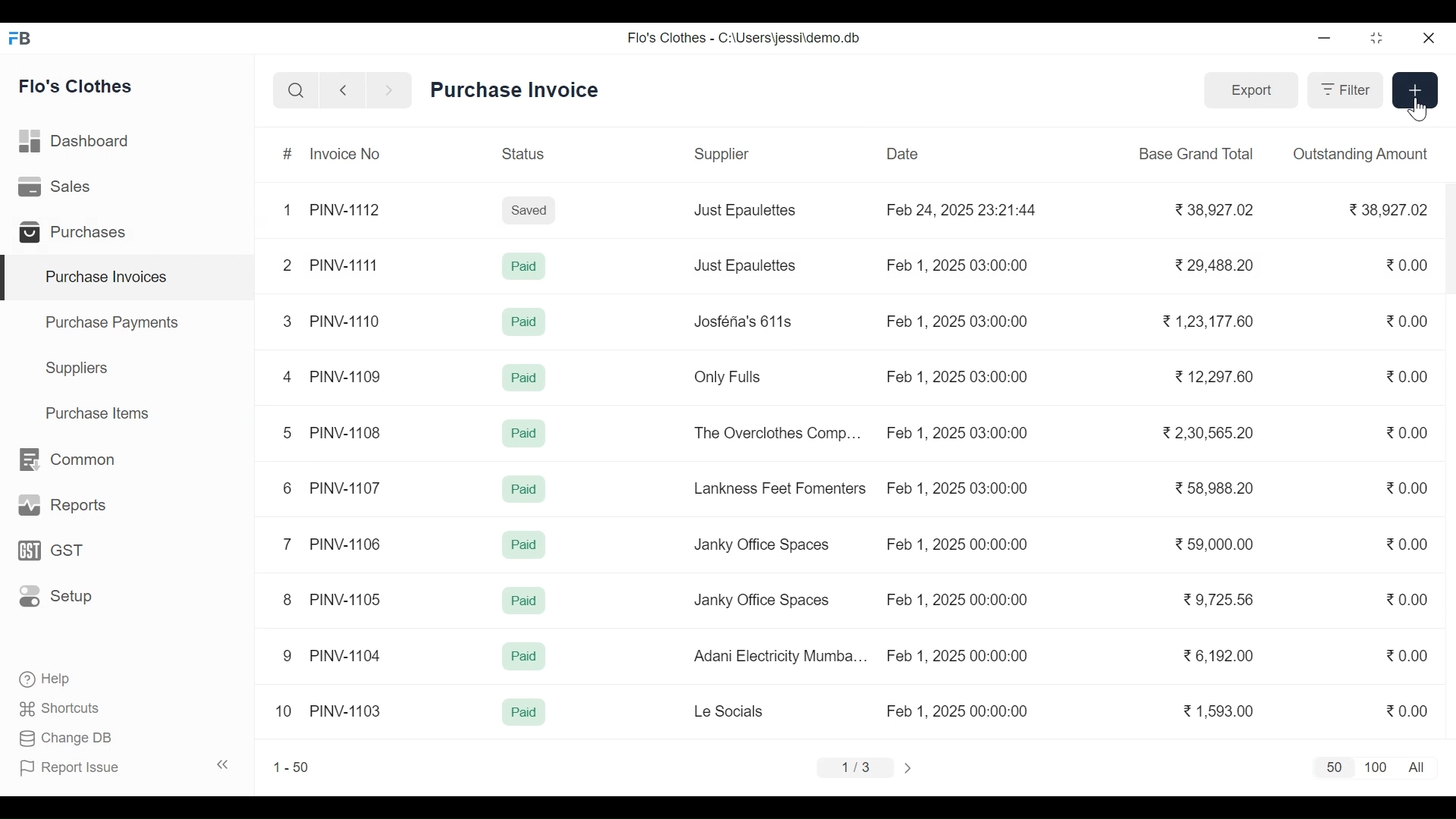 The width and height of the screenshot is (1456, 819). What do you see at coordinates (52, 597) in the screenshot?
I see `Setup` at bounding box center [52, 597].